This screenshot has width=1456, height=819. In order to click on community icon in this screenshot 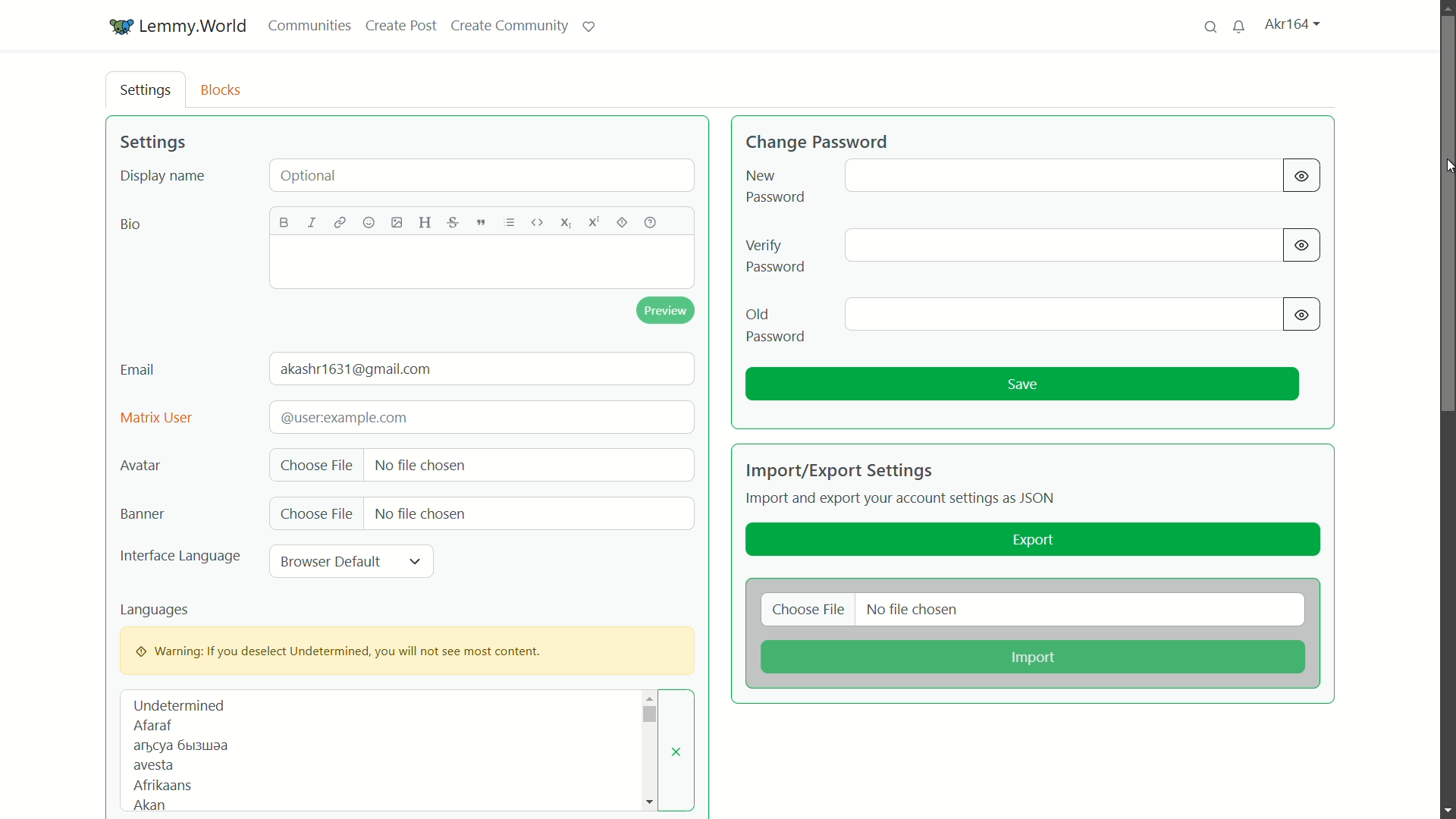, I will do `click(122, 27)`.